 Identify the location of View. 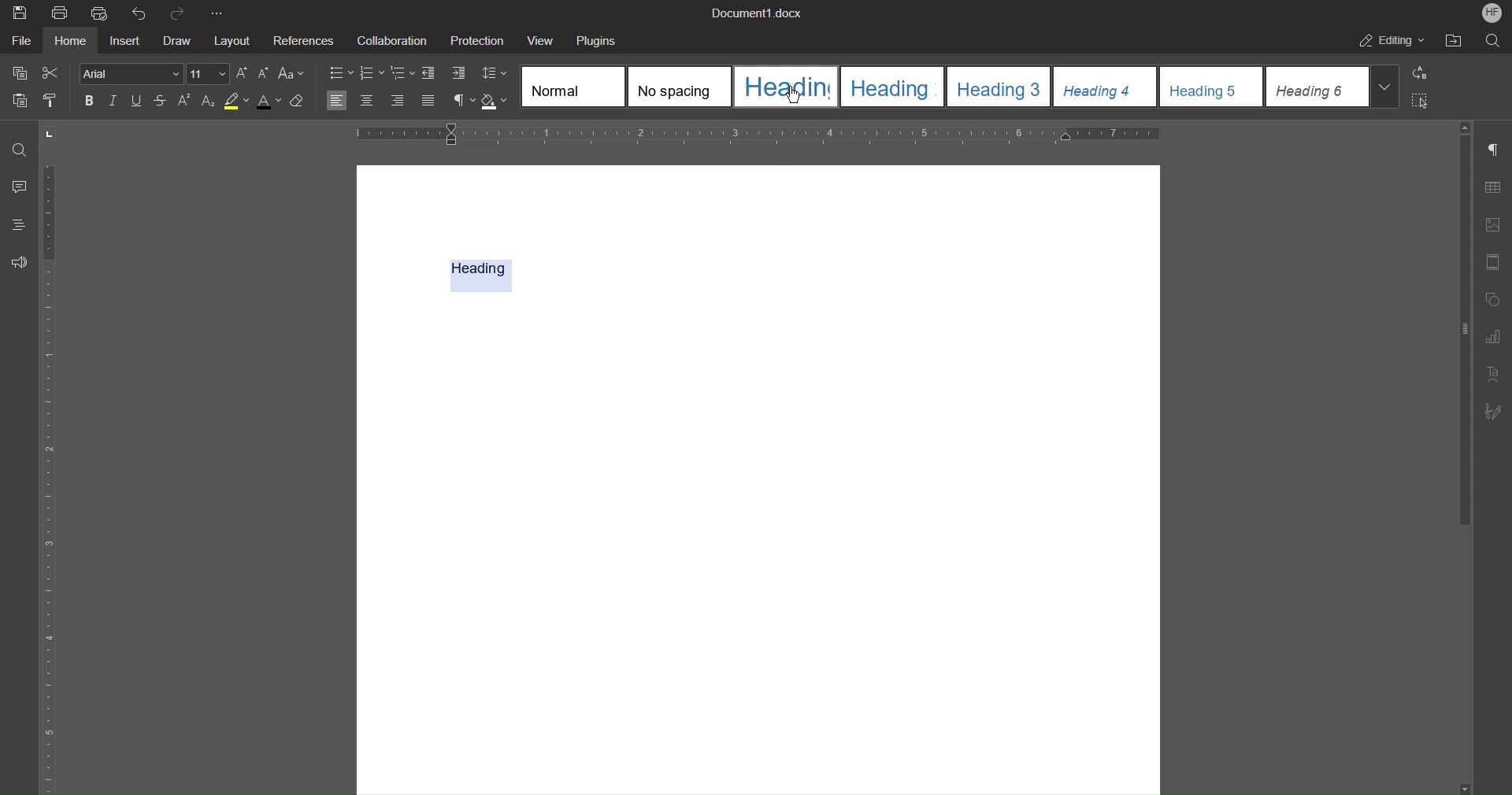
(540, 39).